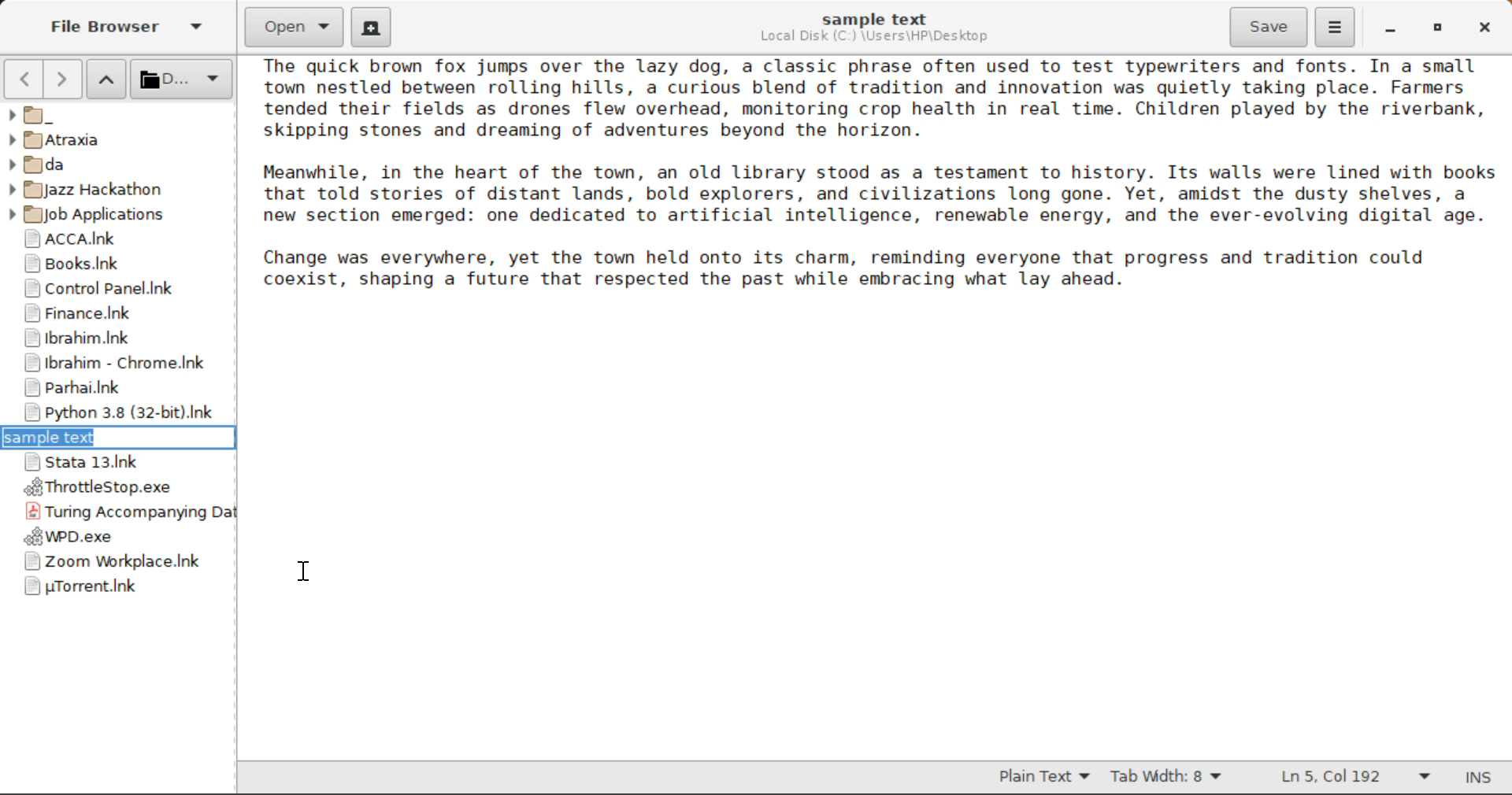 This screenshot has width=1512, height=795. What do you see at coordinates (105, 190) in the screenshot?
I see `Jazz Hackathon Folder` at bounding box center [105, 190].